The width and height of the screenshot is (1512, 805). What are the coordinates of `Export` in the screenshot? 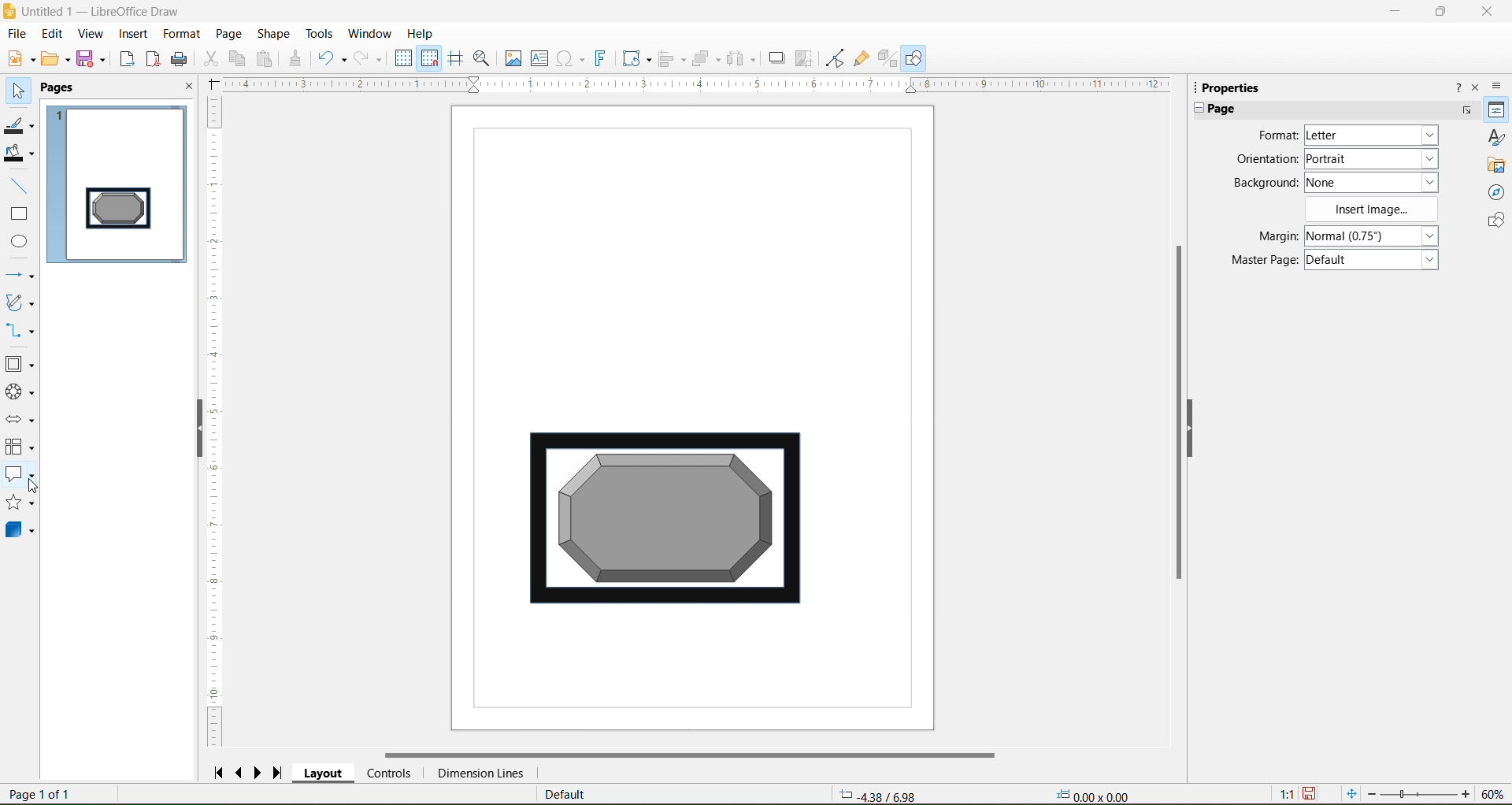 It's located at (125, 58).